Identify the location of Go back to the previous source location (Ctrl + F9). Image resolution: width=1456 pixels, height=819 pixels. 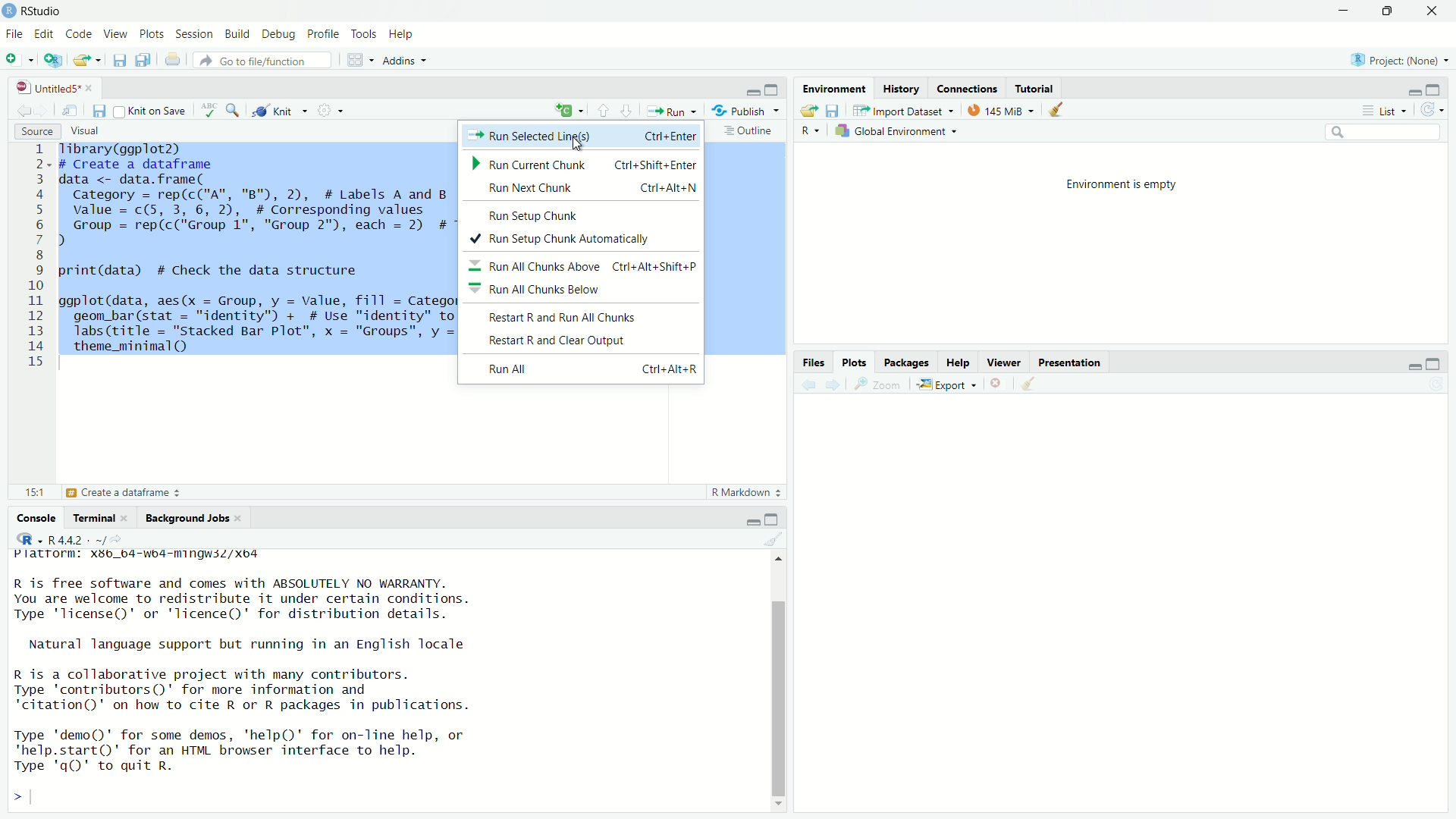
(802, 383).